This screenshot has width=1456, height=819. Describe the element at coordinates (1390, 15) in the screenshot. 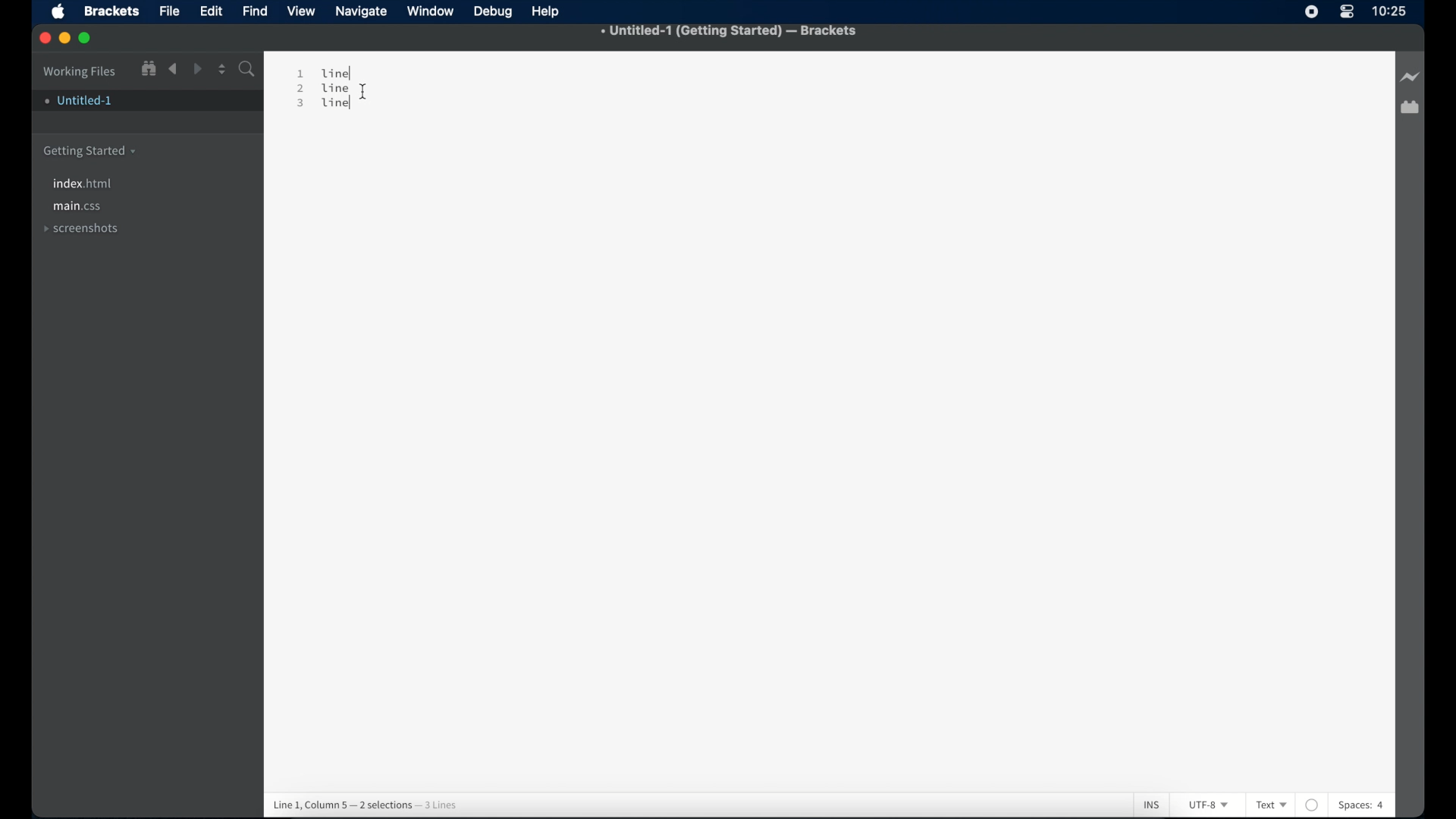

I see `10;25` at that location.